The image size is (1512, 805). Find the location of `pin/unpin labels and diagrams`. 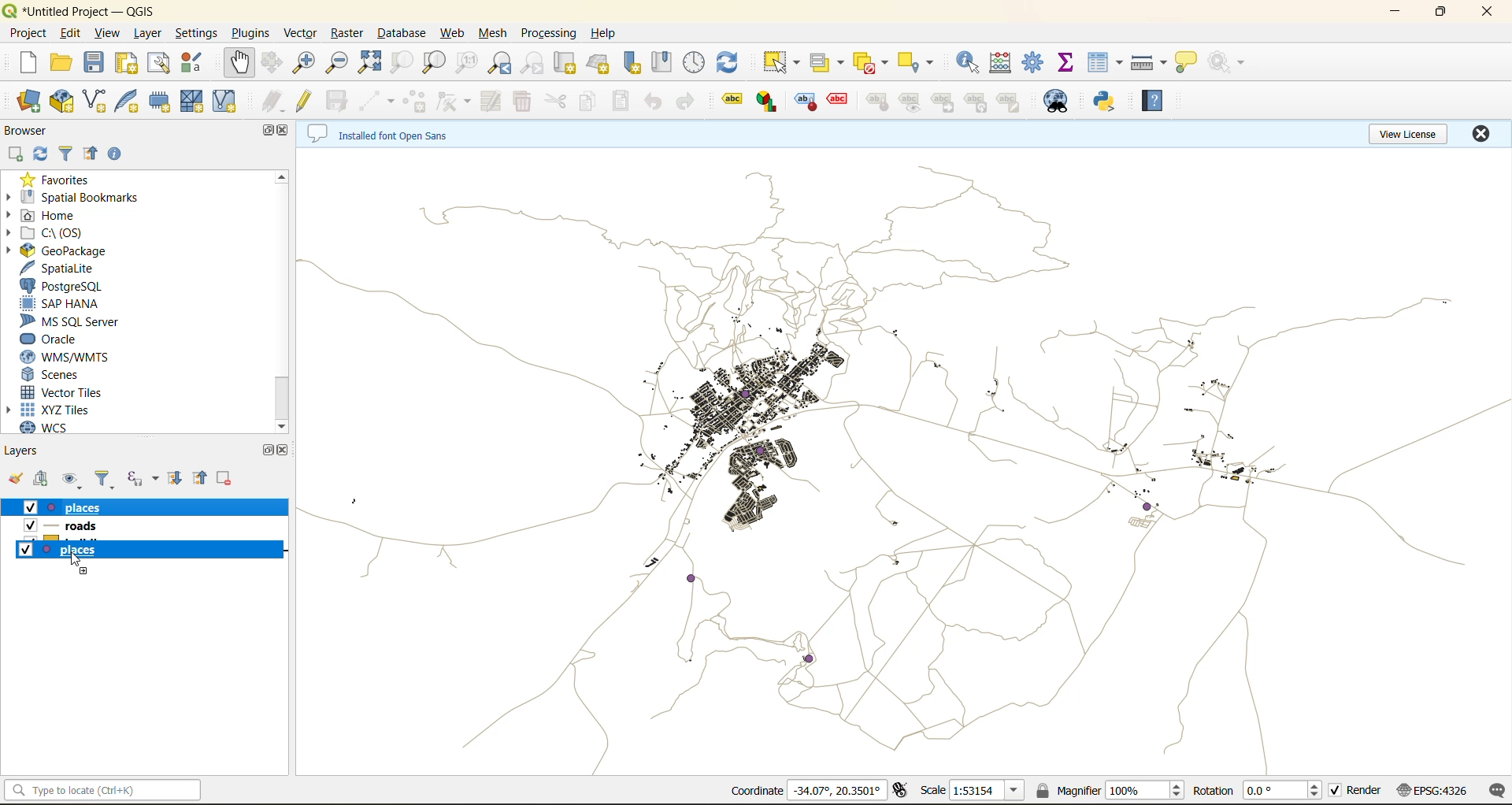

pin/unpin labels and diagrams is located at coordinates (876, 102).